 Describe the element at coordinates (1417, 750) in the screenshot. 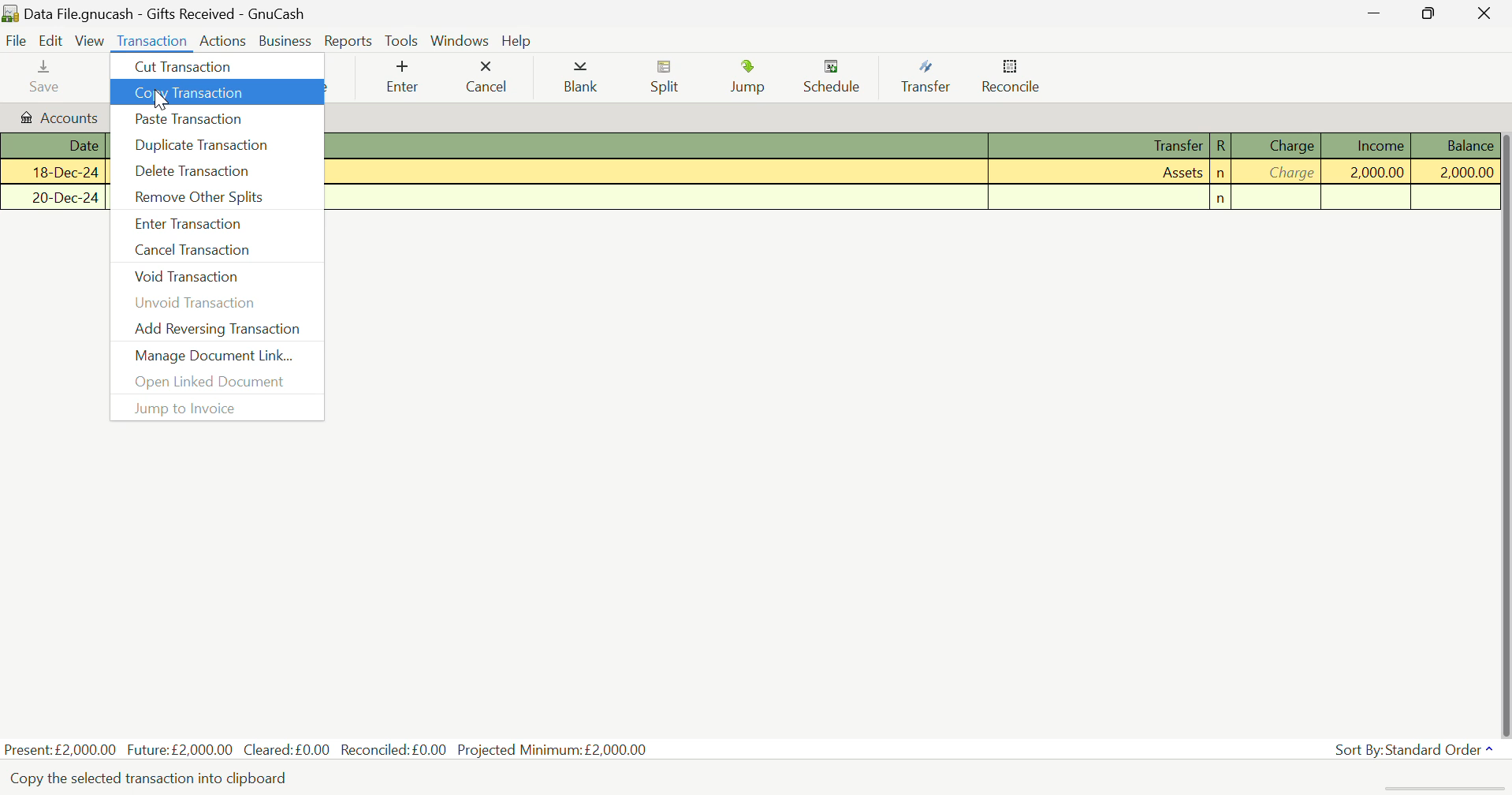

I see `Sort By: Standard Order` at that location.